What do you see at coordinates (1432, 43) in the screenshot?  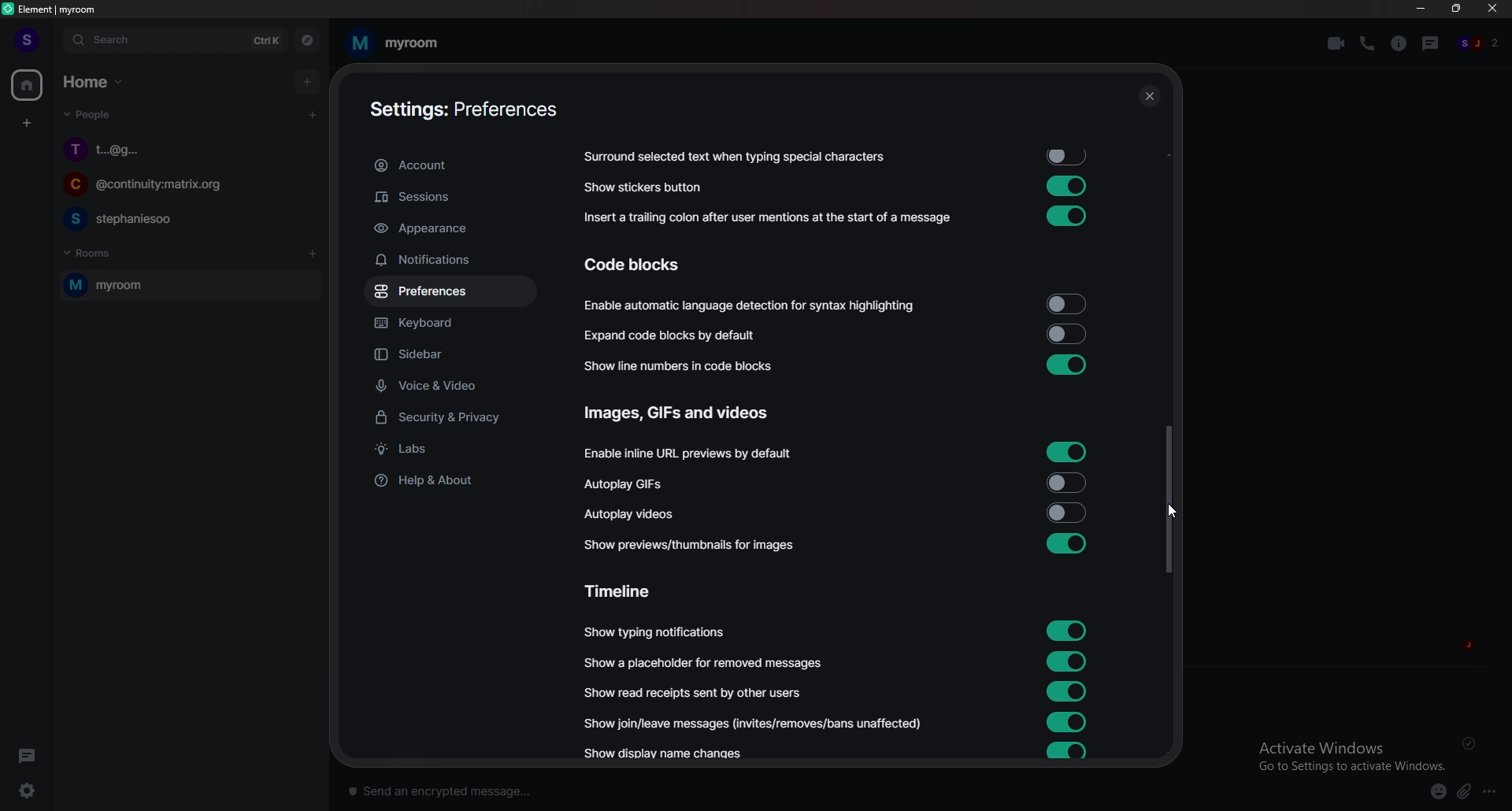 I see `thread` at bounding box center [1432, 43].